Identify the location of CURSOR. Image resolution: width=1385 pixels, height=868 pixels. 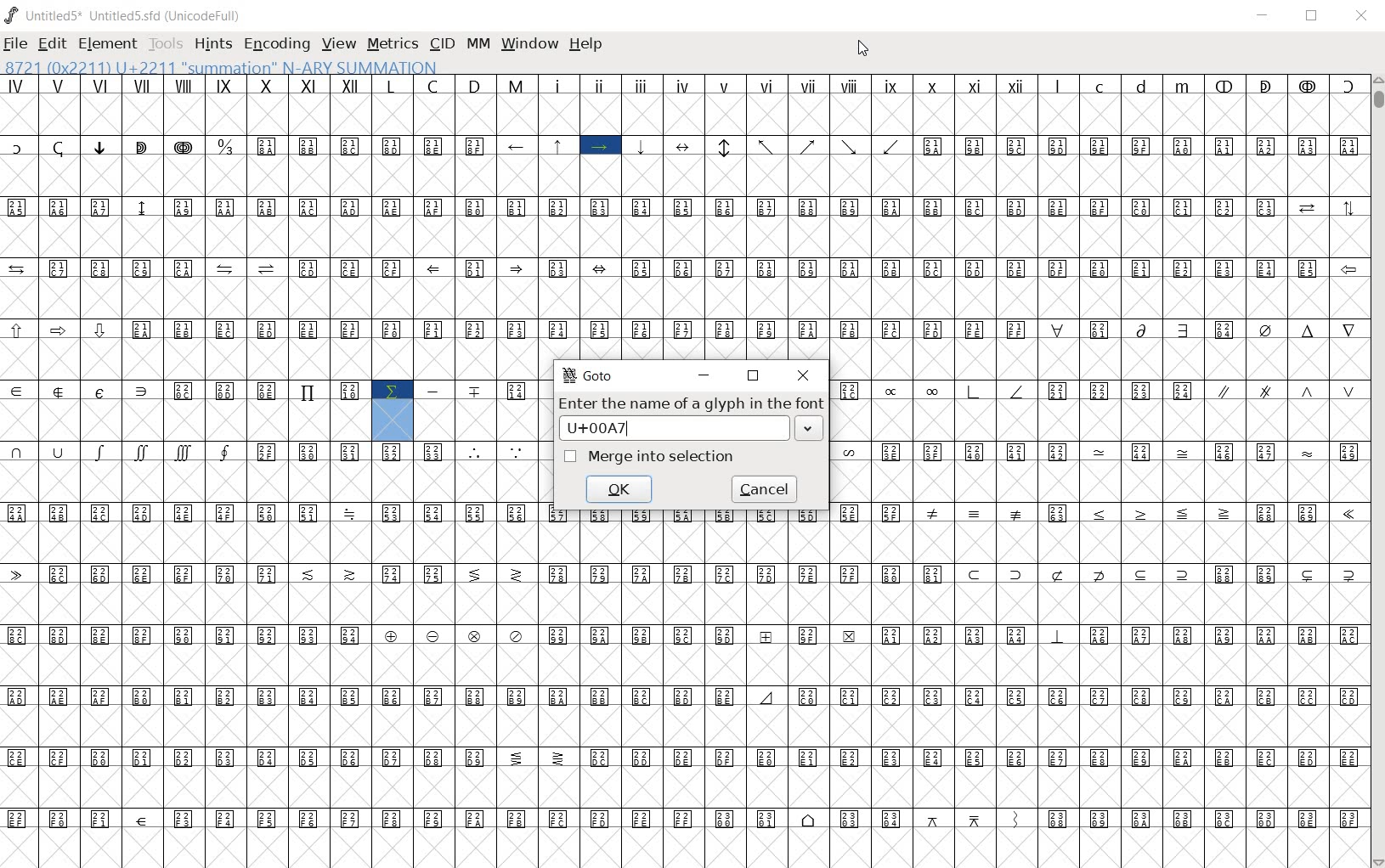
(863, 48).